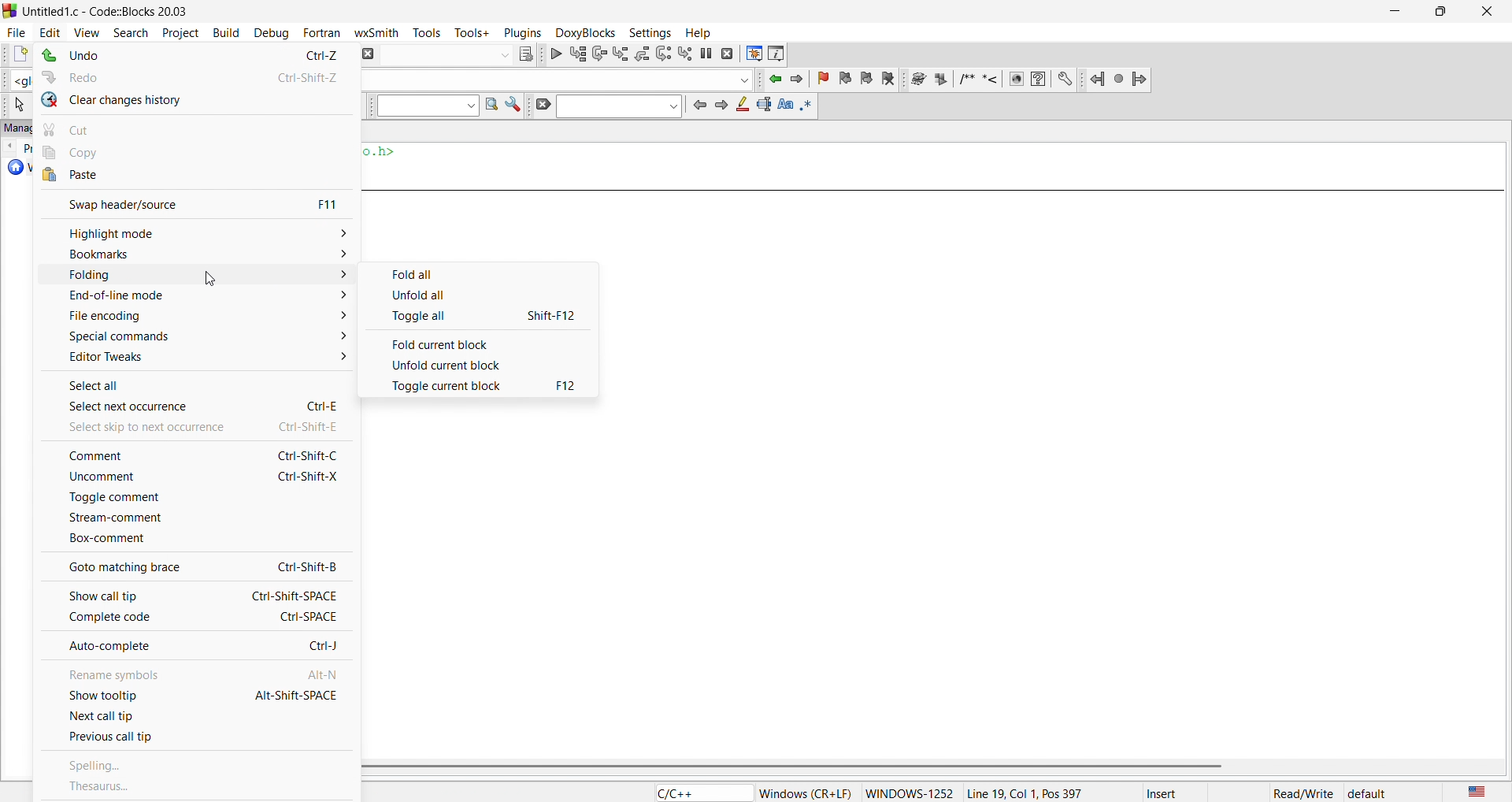  Describe the element at coordinates (910, 793) in the screenshot. I see `Windows-1252` at that location.